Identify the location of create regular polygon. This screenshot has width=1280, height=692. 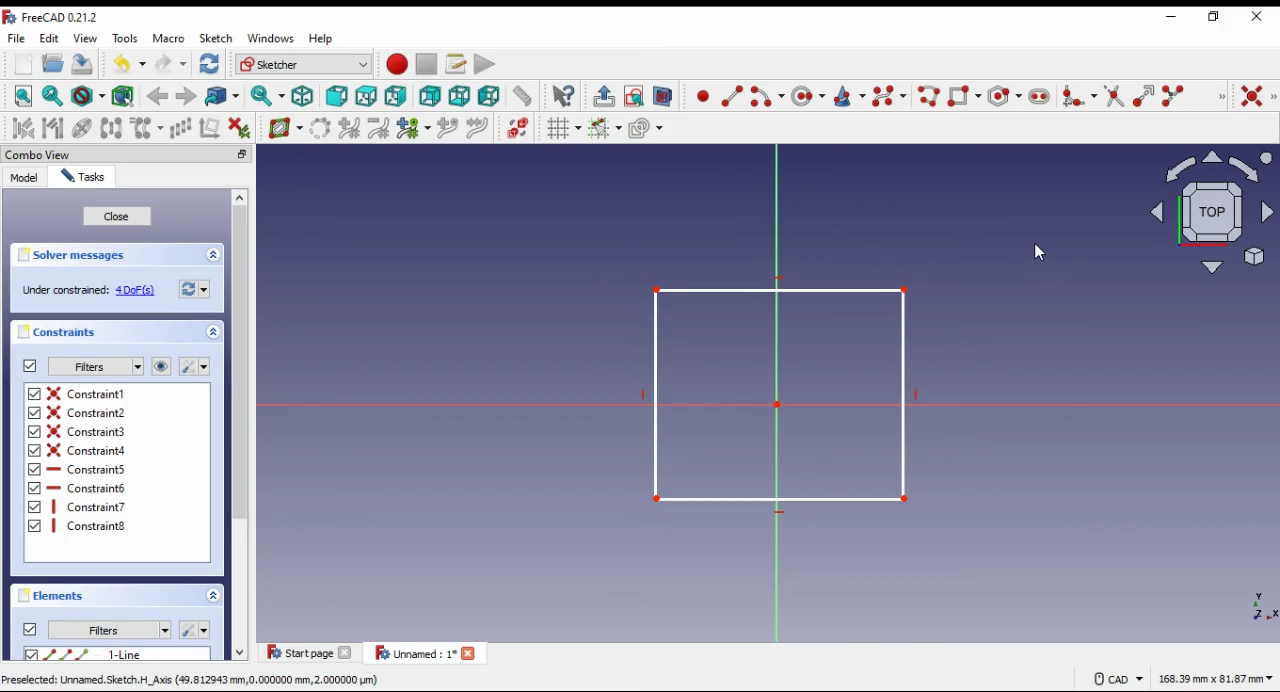
(1003, 96).